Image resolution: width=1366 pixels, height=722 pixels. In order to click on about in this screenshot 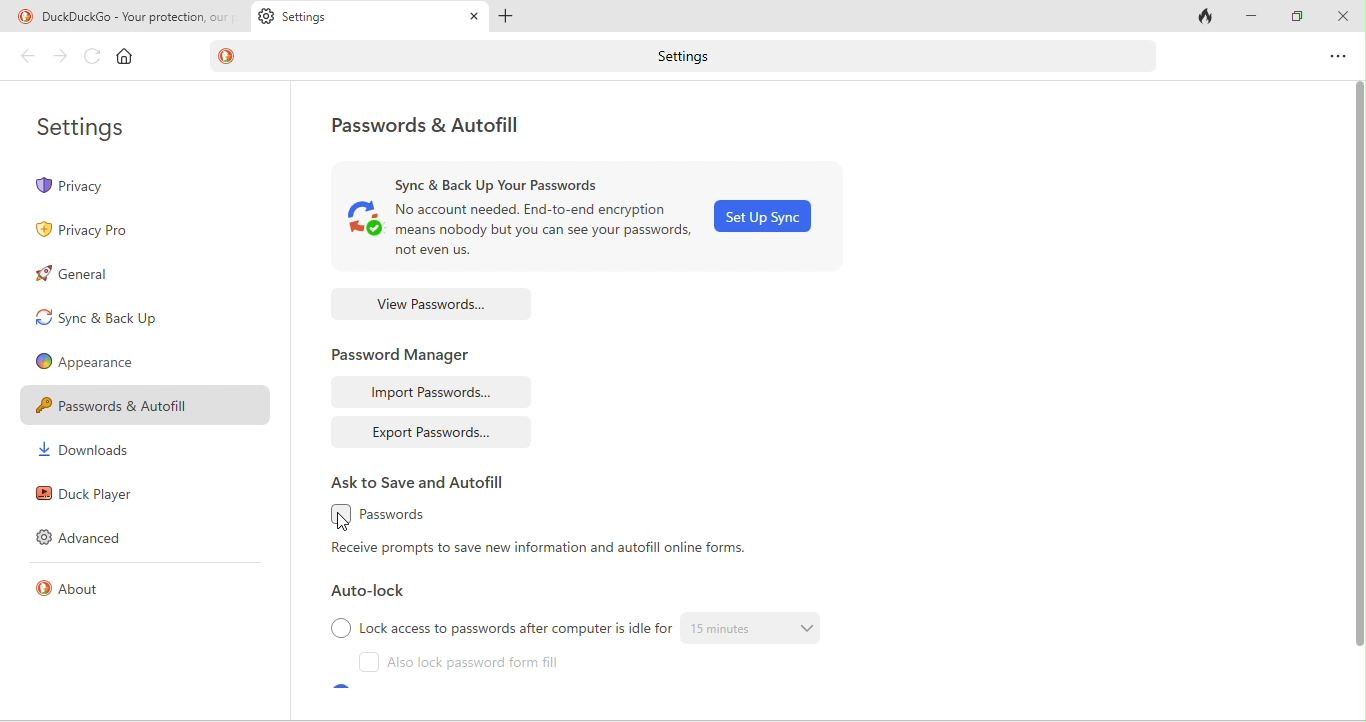, I will do `click(76, 590)`.